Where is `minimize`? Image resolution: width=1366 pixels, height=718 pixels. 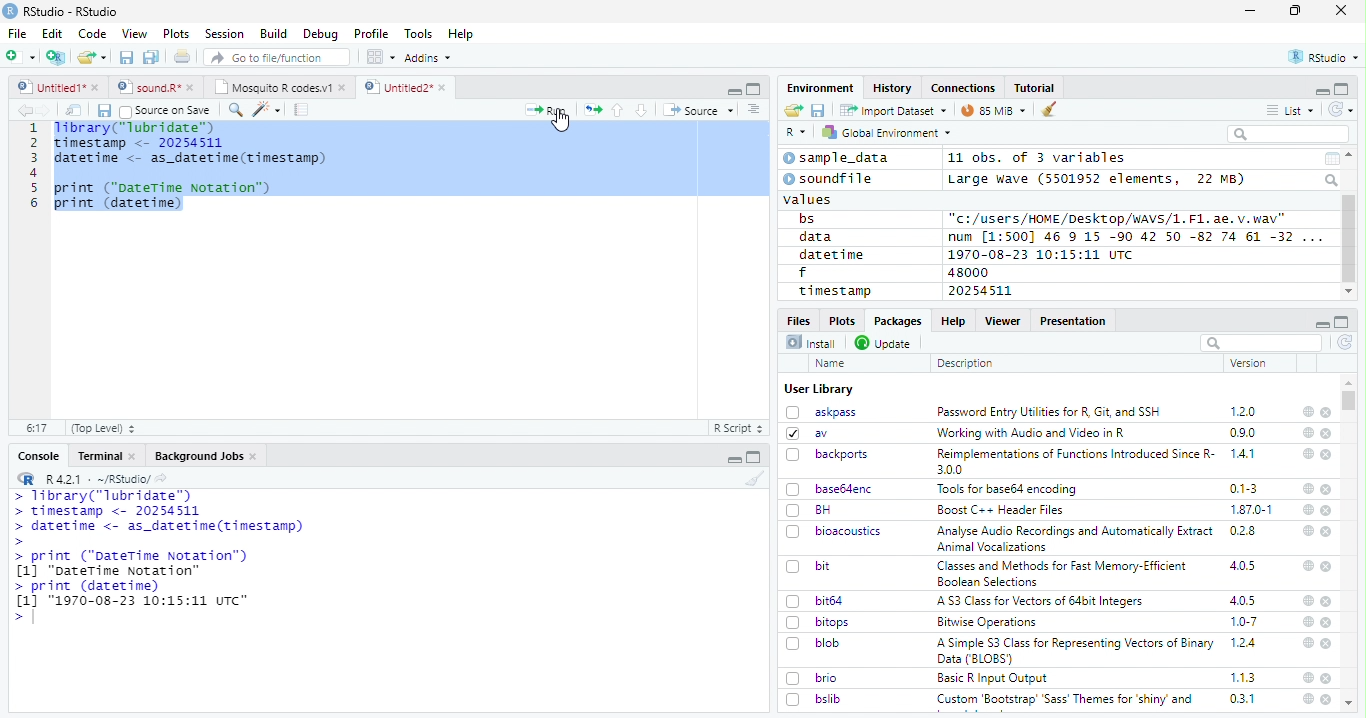
minimize is located at coordinates (733, 89).